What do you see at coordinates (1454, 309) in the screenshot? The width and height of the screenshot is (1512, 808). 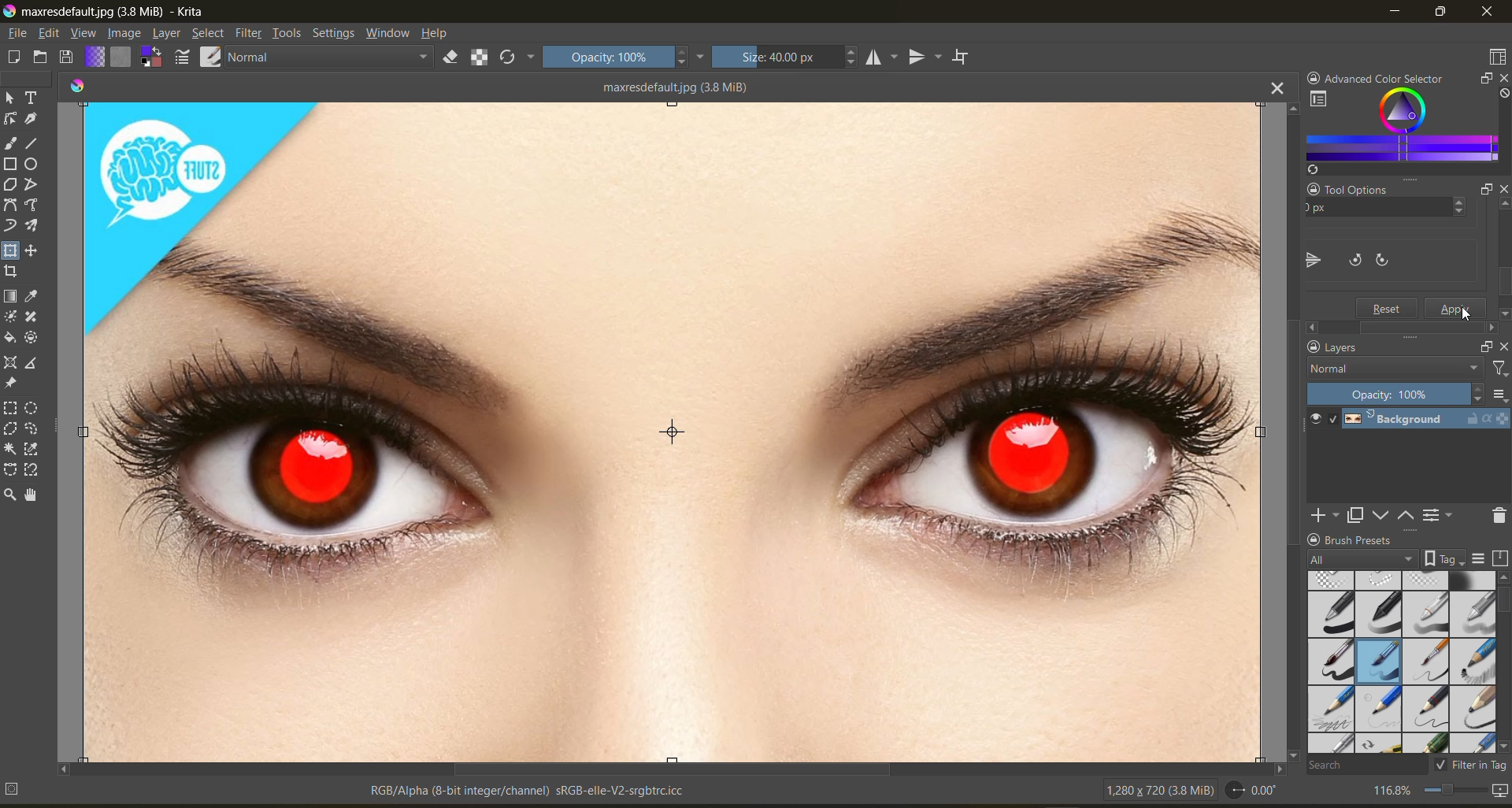 I see `apply` at bounding box center [1454, 309].